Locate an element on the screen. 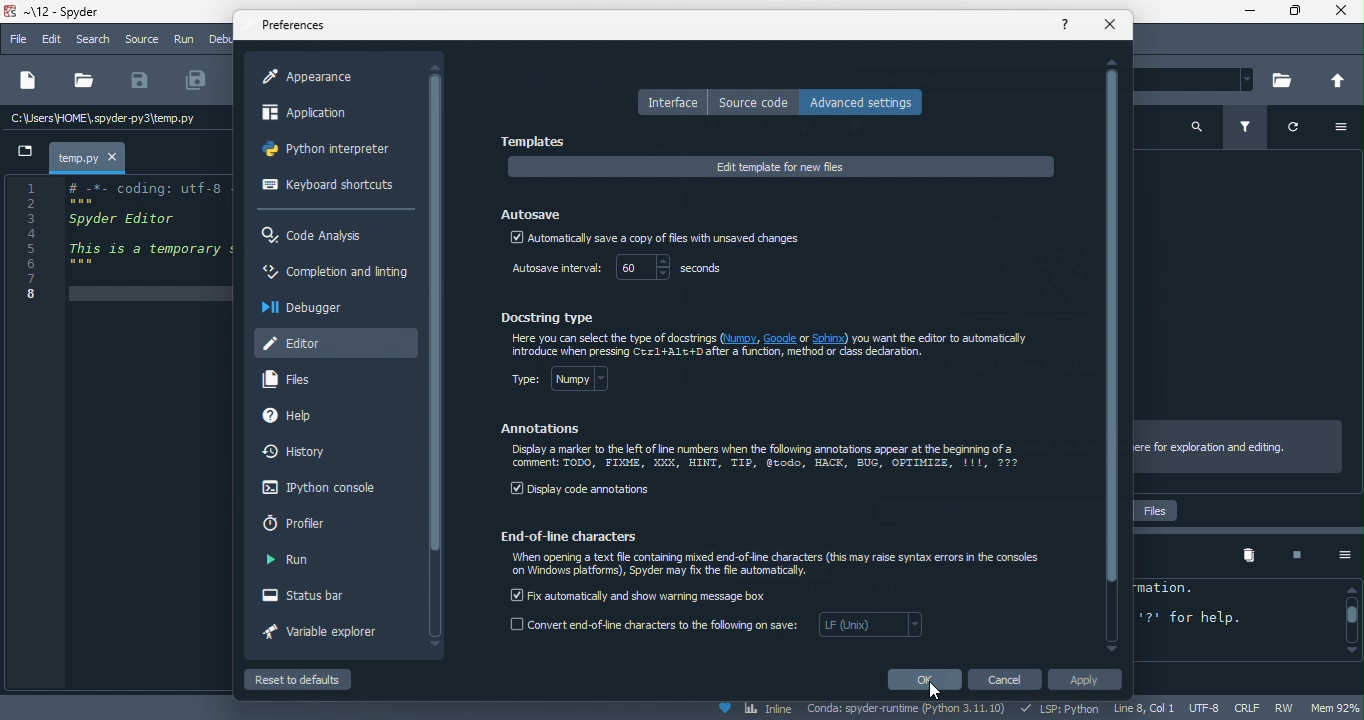 This screenshot has width=1364, height=720. display code annotations is located at coordinates (582, 491).